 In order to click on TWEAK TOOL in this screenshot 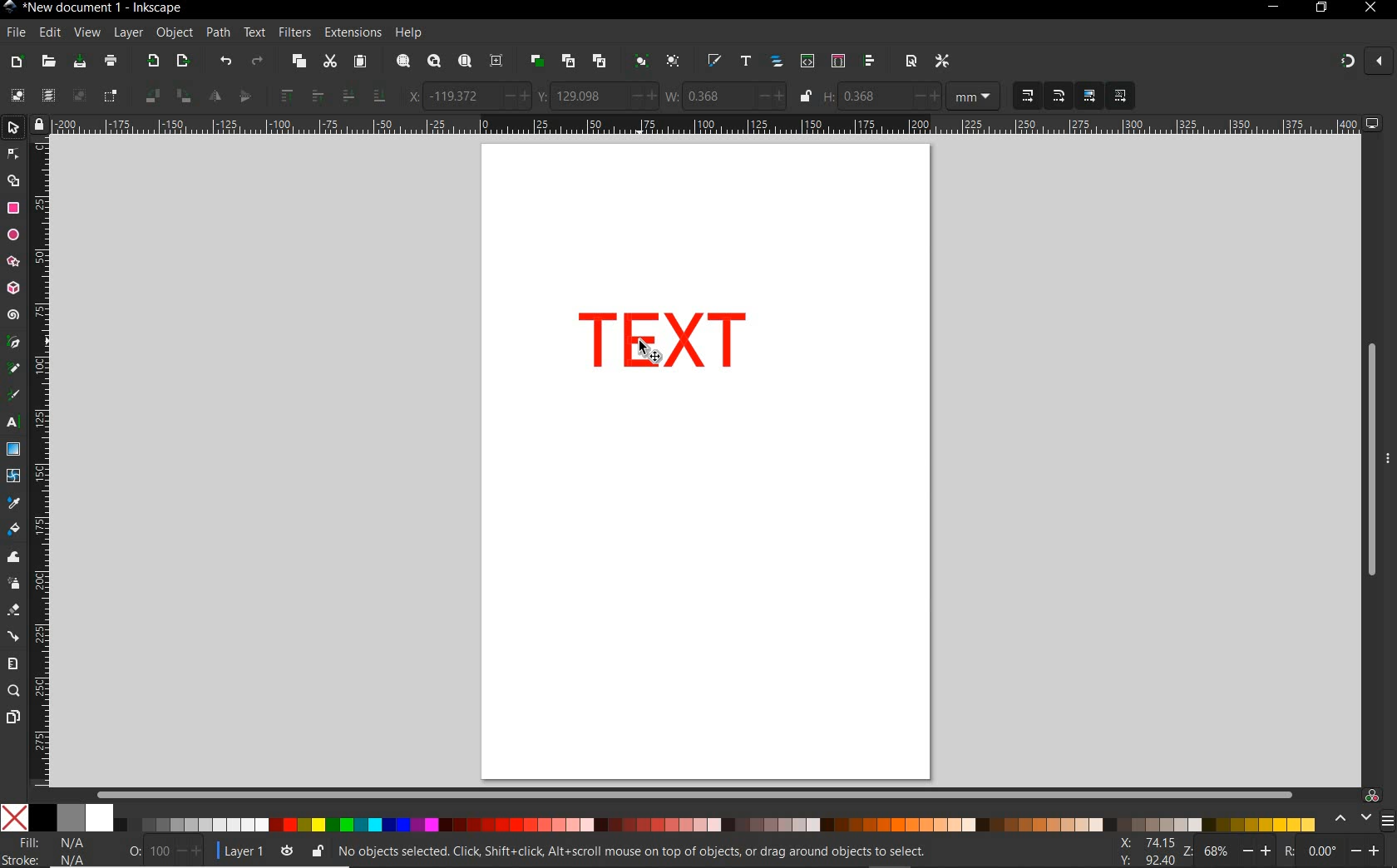, I will do `click(15, 558)`.